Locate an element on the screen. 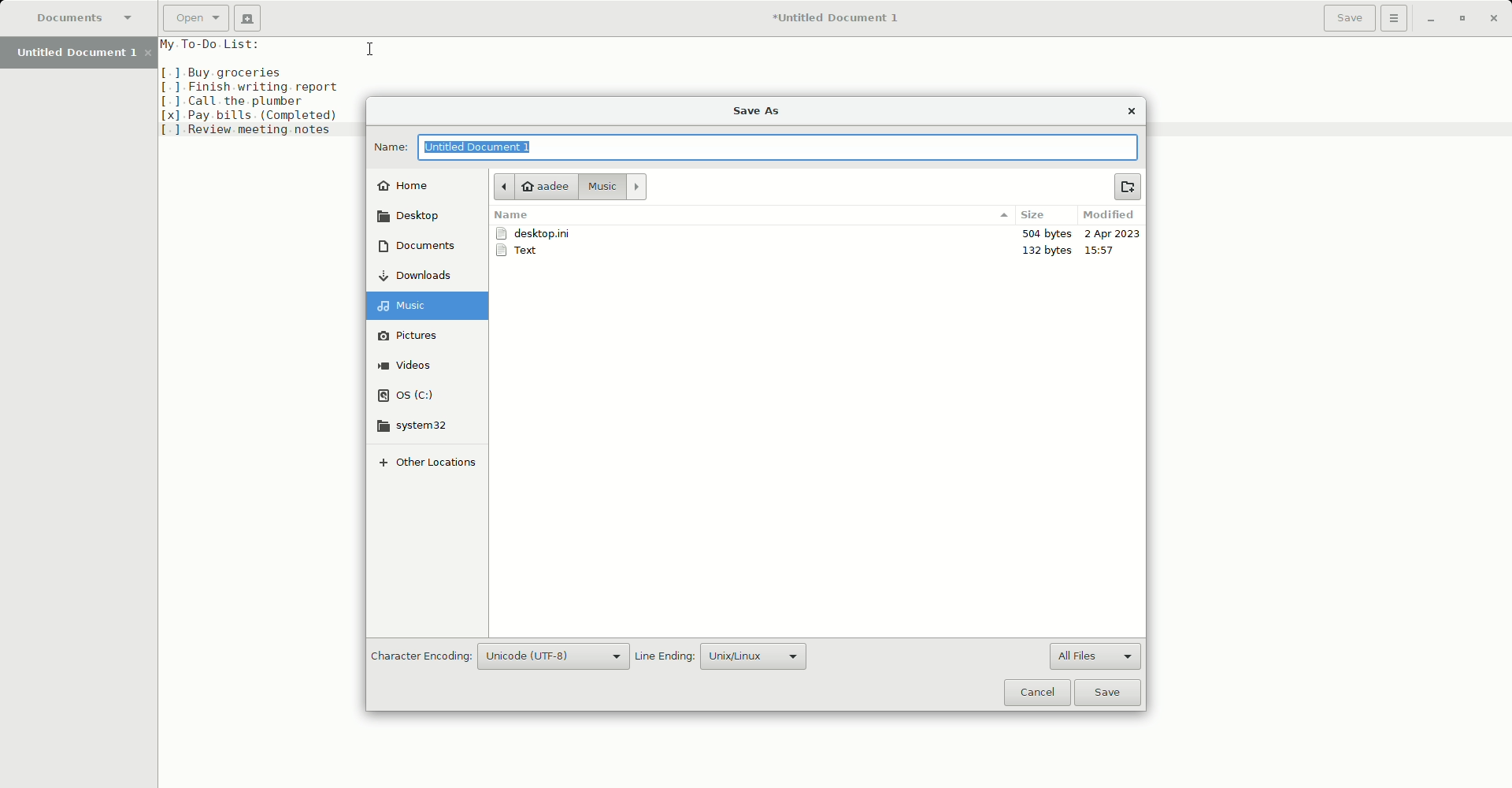 The image size is (1512, 788). Videos is located at coordinates (417, 366).